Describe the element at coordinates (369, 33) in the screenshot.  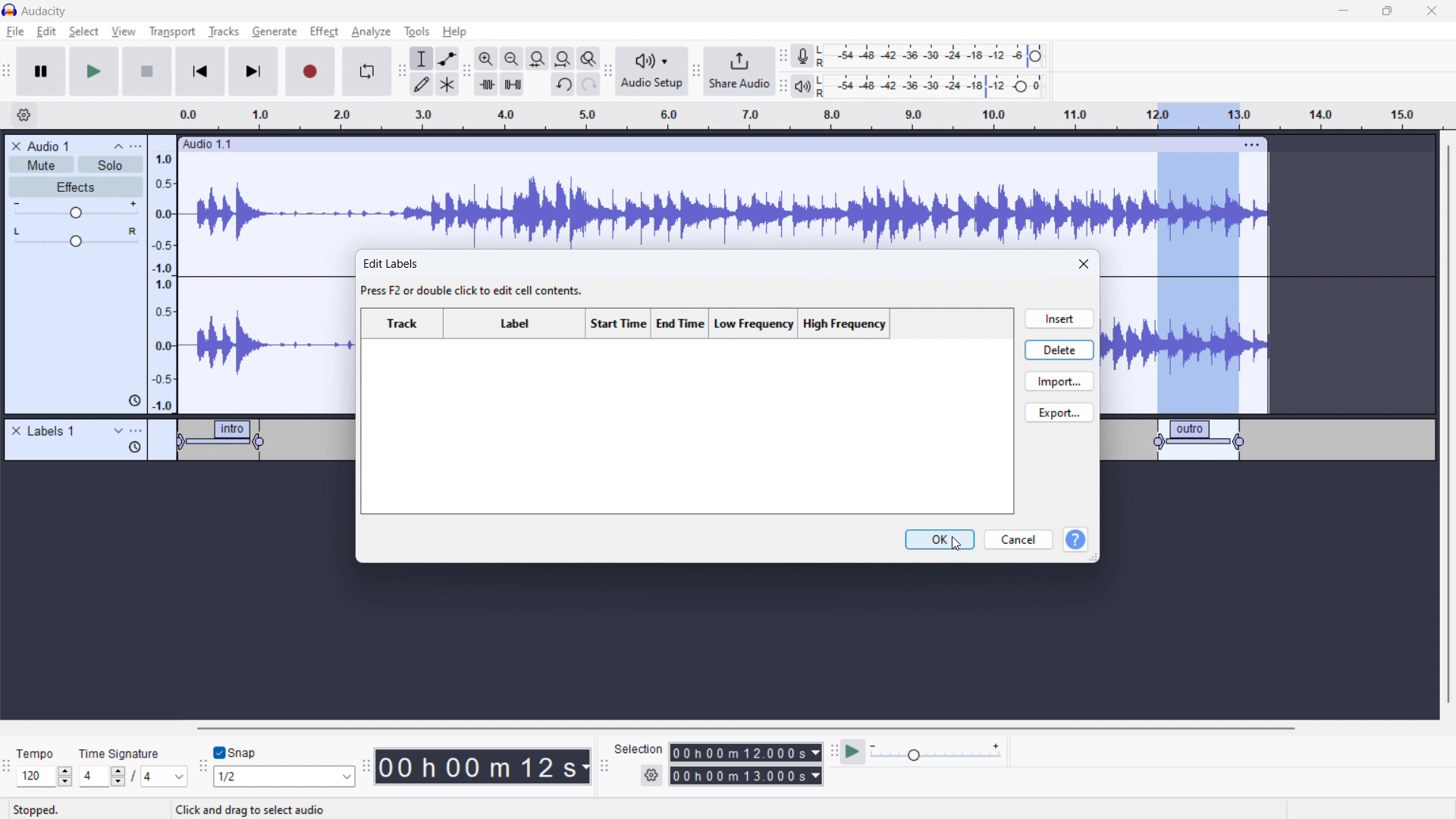
I see `analyze` at that location.